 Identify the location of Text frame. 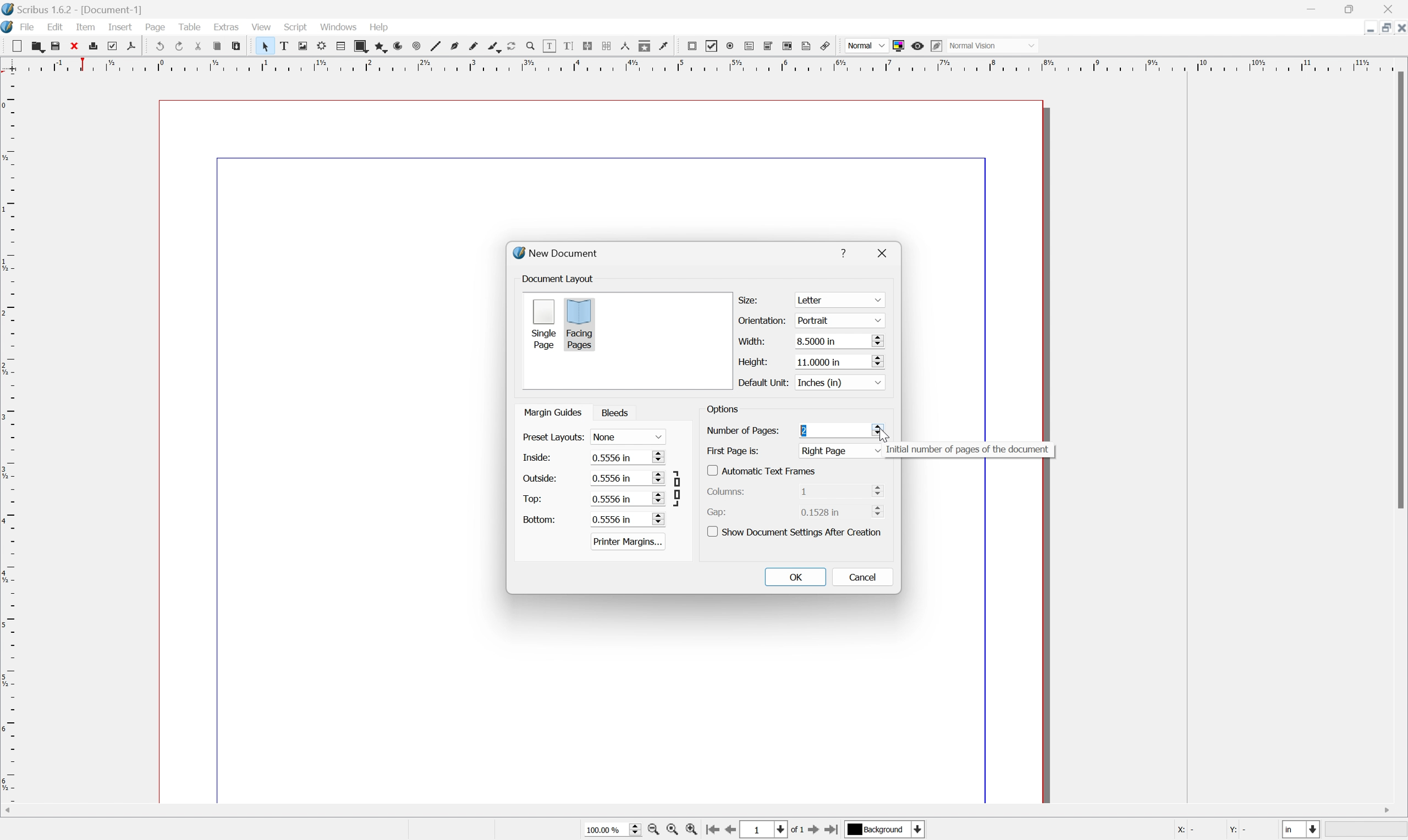
(284, 46).